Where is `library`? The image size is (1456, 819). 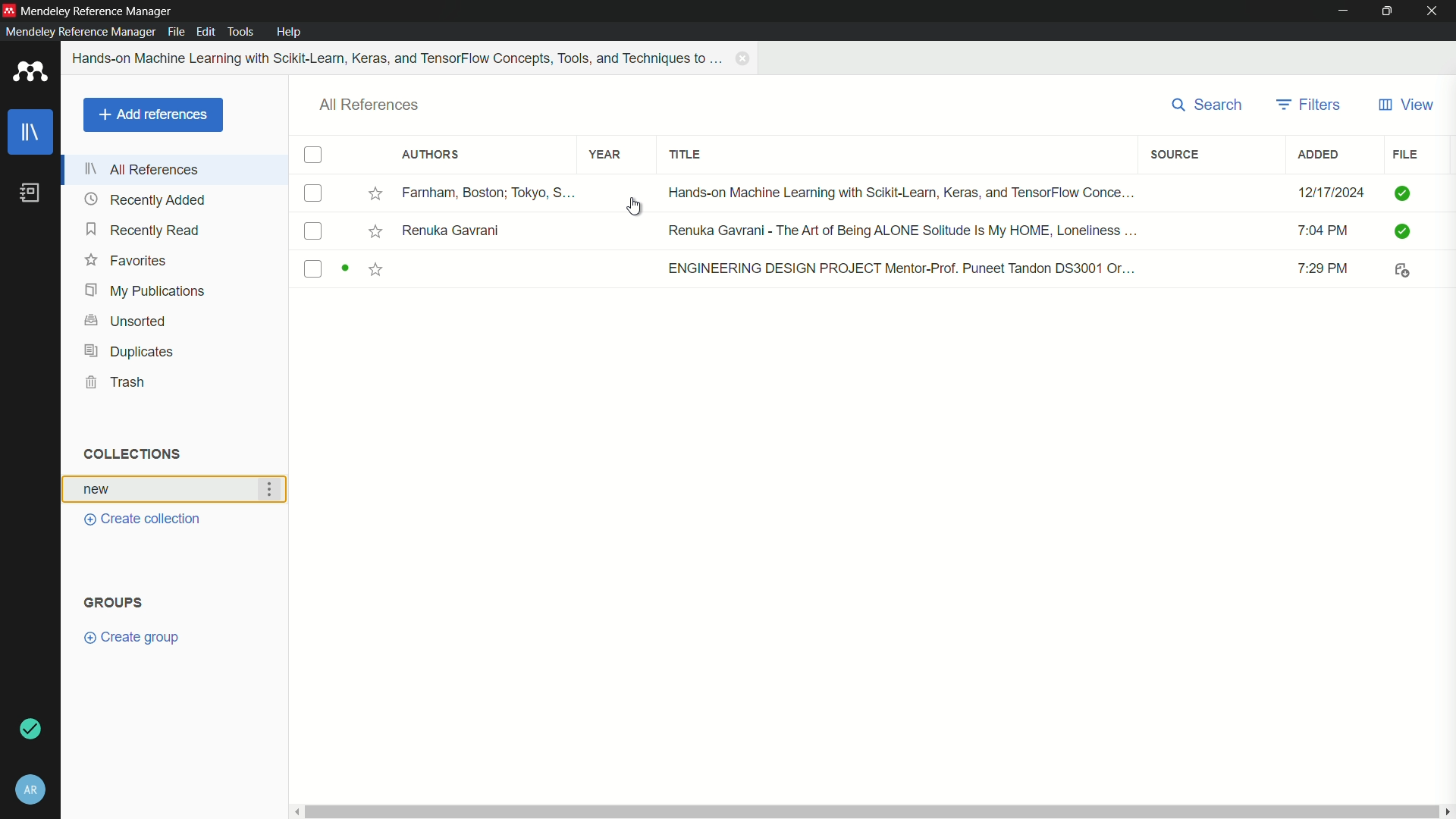 library is located at coordinates (31, 134).